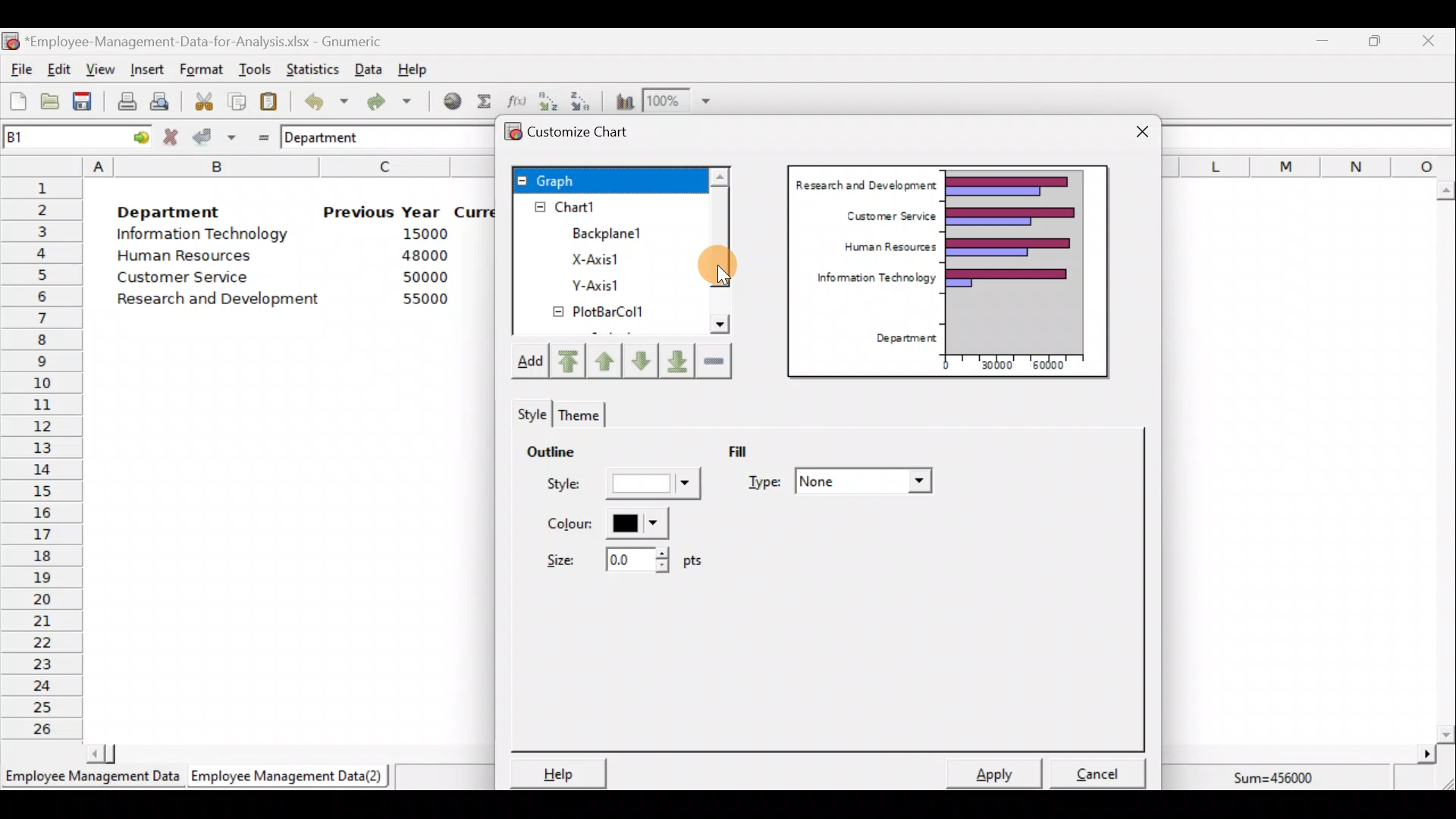 This screenshot has height=819, width=1456. I want to click on Sort in descending order, so click(582, 100).